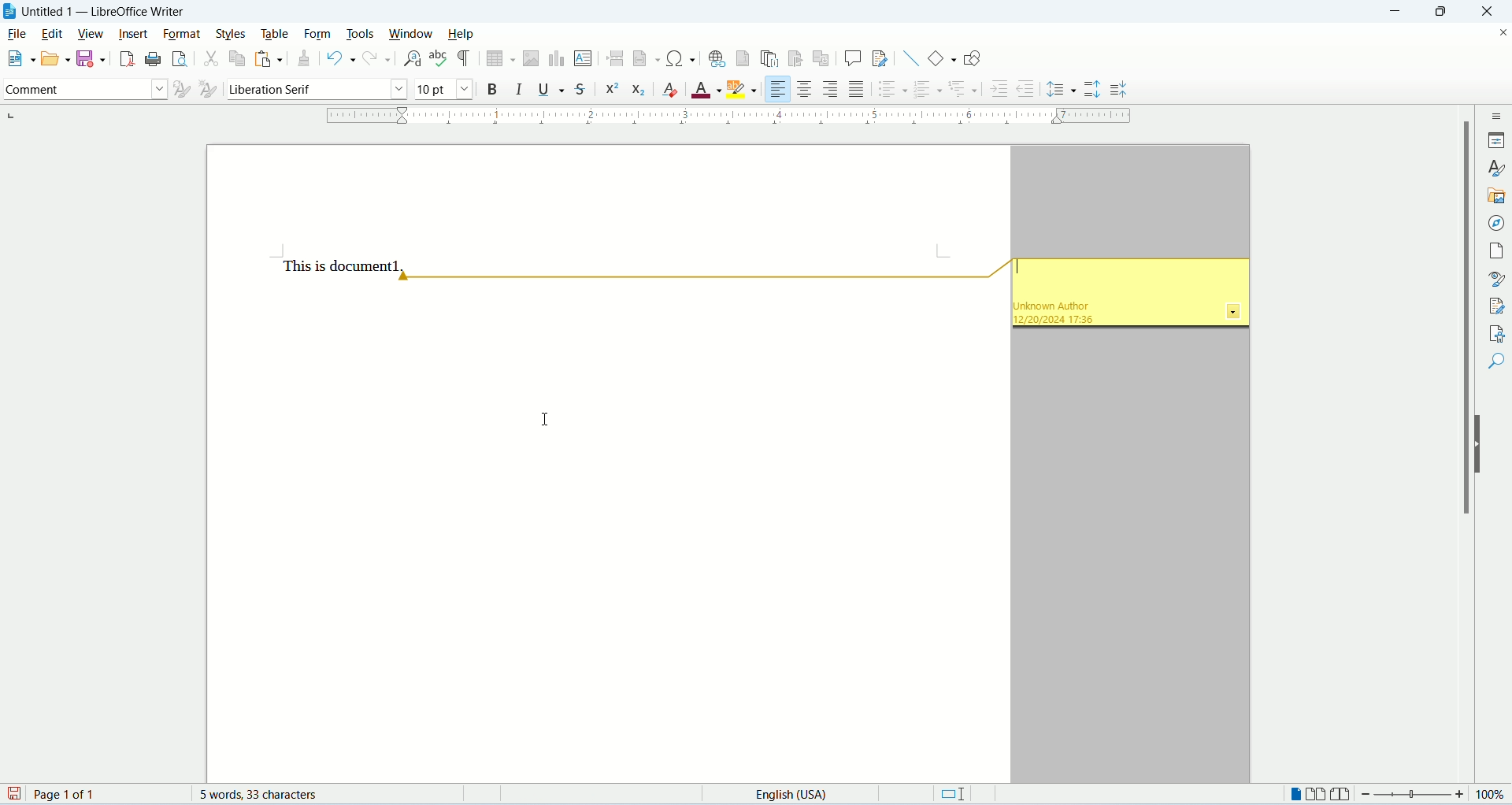 Image resolution: width=1512 pixels, height=805 pixels. What do you see at coordinates (1469, 446) in the screenshot?
I see `vertical scroll bar` at bounding box center [1469, 446].